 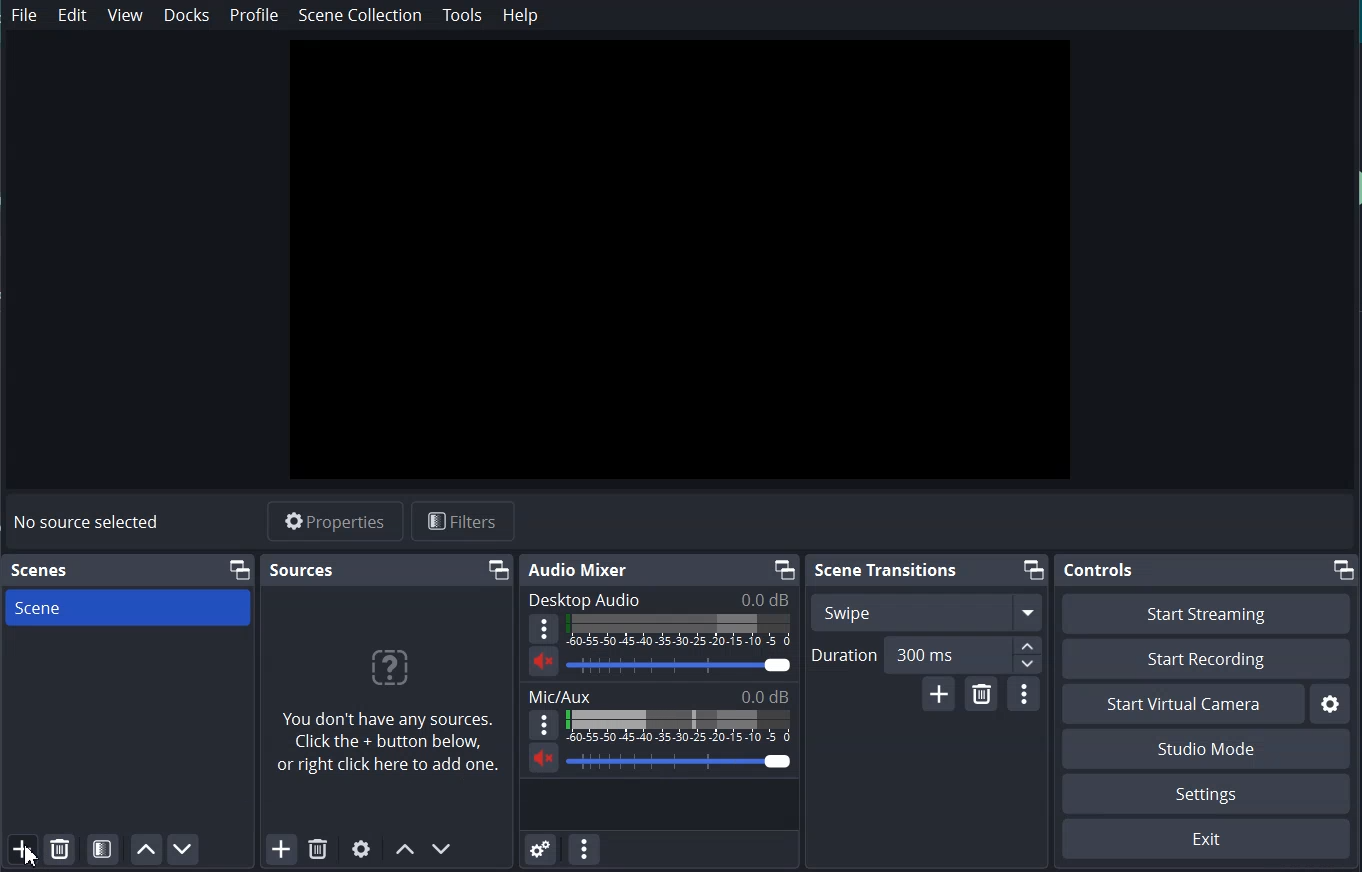 I want to click on Maximize, so click(x=499, y=570).